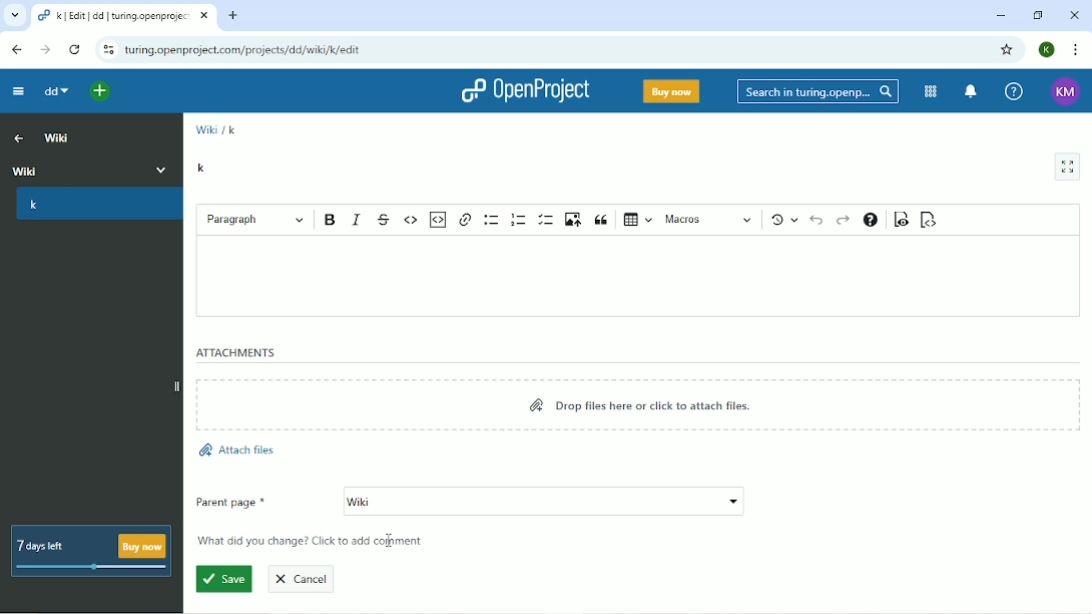 Image resolution: width=1092 pixels, height=614 pixels. Describe the element at coordinates (519, 219) in the screenshot. I see `Numbered list` at that location.